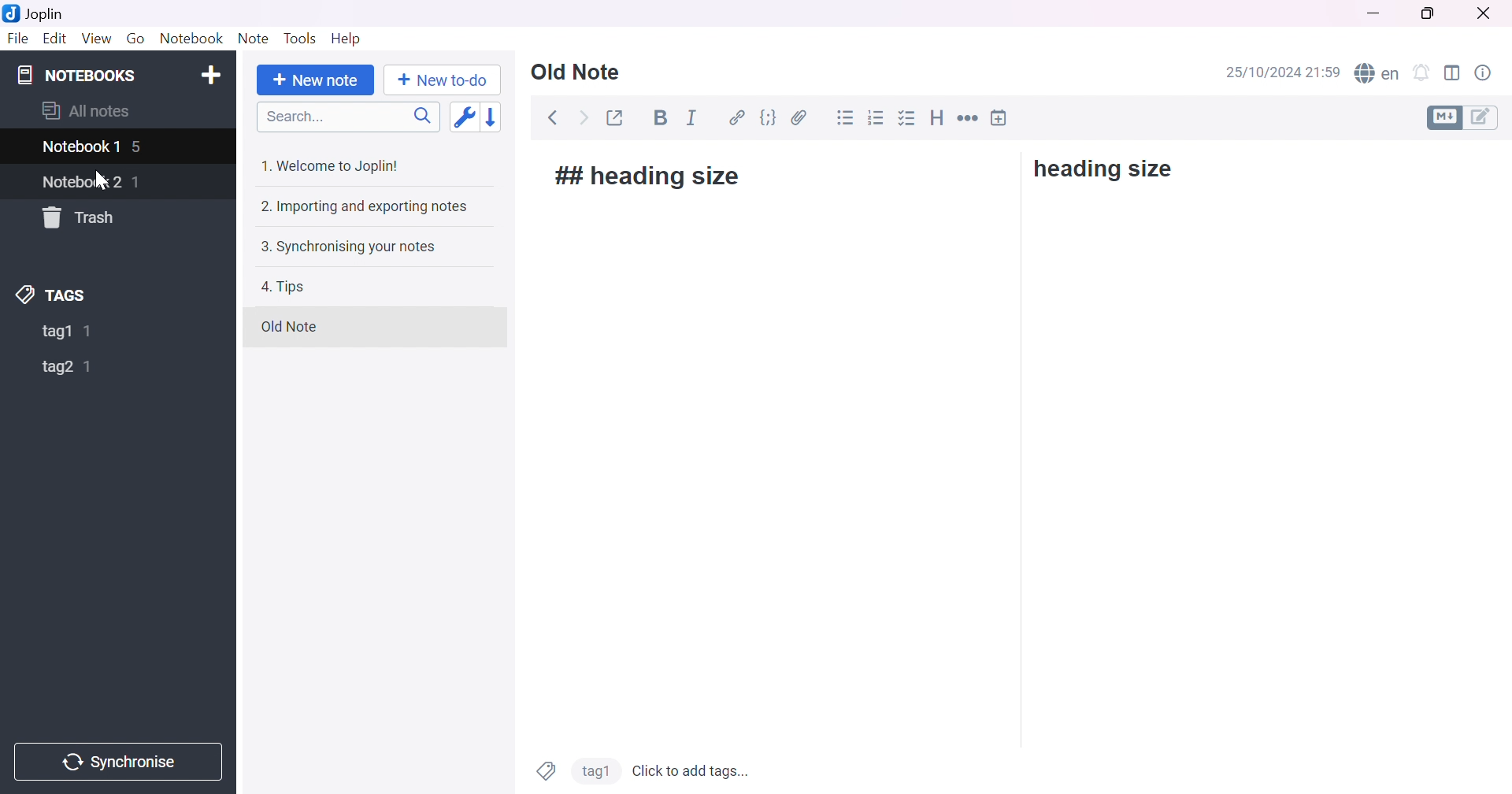 The height and width of the screenshot is (794, 1512). I want to click on 3. Synchronising your notes, so click(346, 248).